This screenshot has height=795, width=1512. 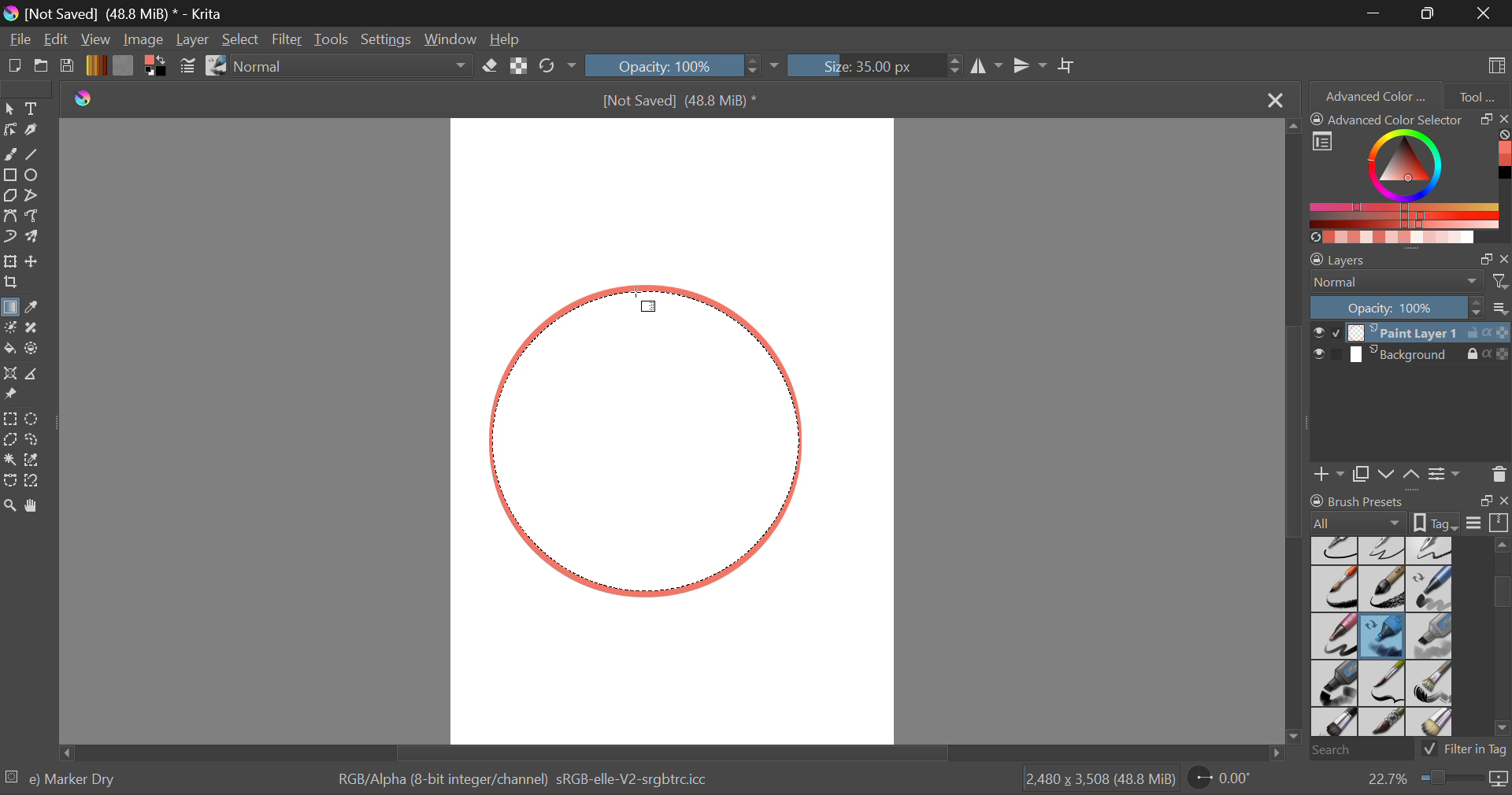 What do you see at coordinates (34, 439) in the screenshot?
I see `Freehand Selection Tool` at bounding box center [34, 439].